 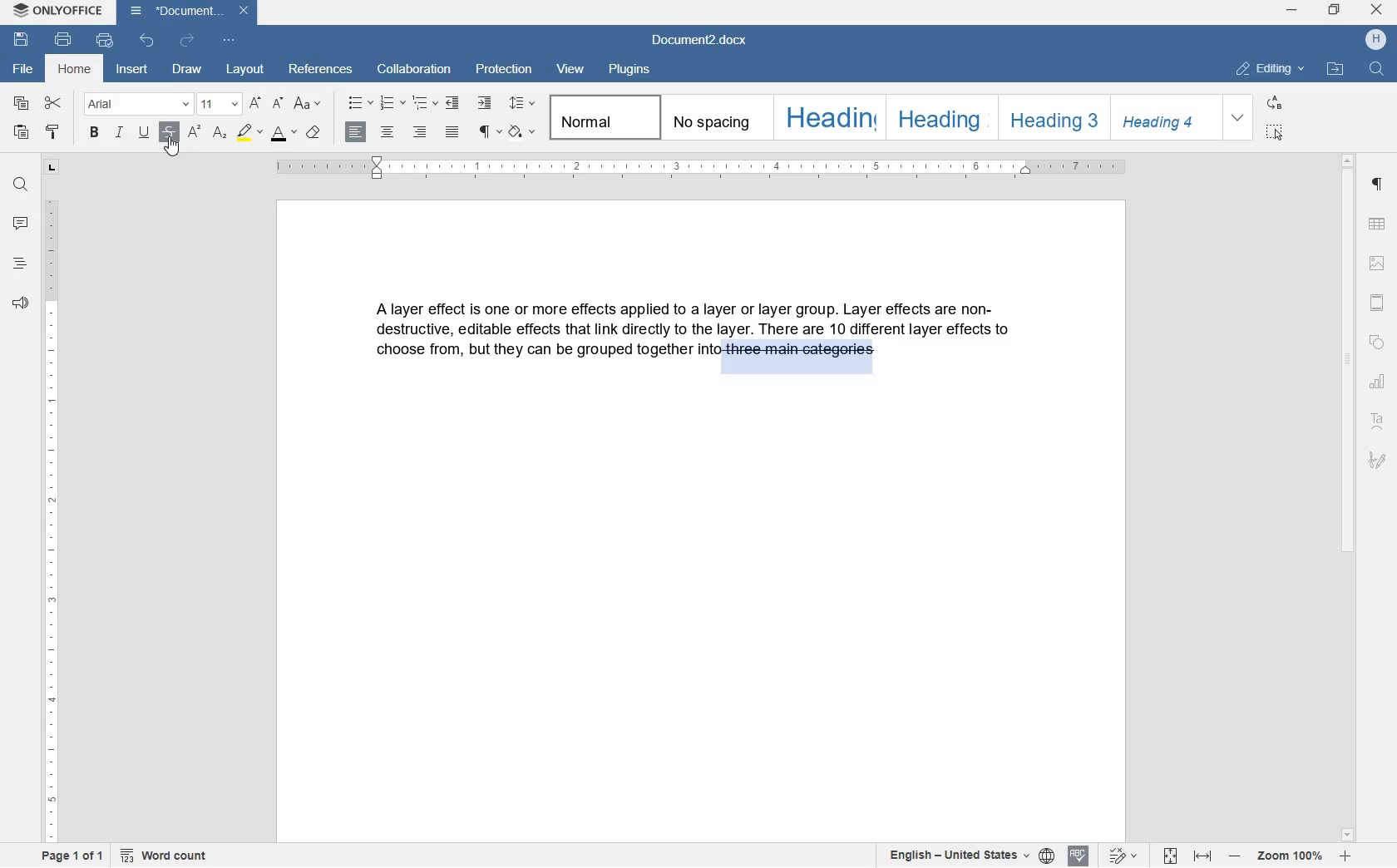 I want to click on align center, so click(x=388, y=136).